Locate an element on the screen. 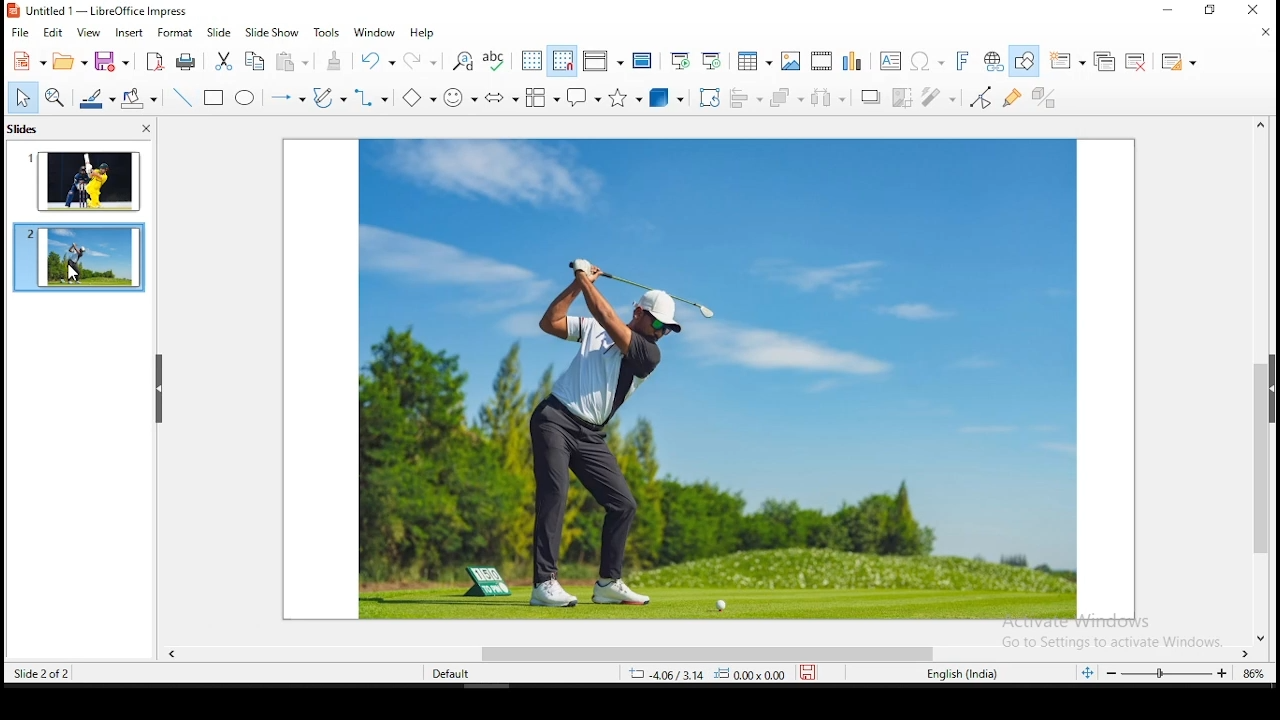 The image size is (1280, 720). distribute is located at coordinates (827, 97).